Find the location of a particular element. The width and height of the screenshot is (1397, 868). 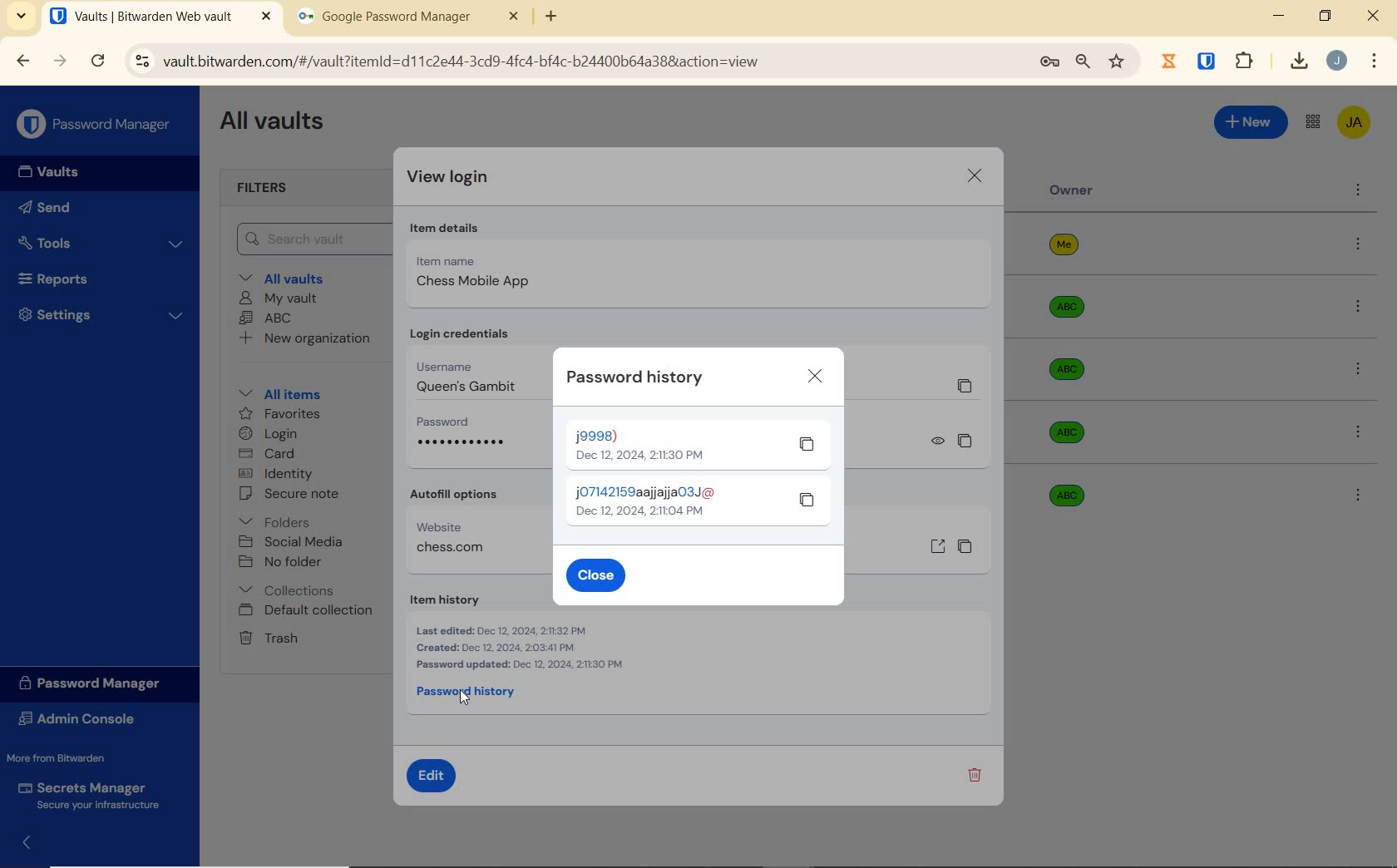

more options is located at coordinates (1359, 187).